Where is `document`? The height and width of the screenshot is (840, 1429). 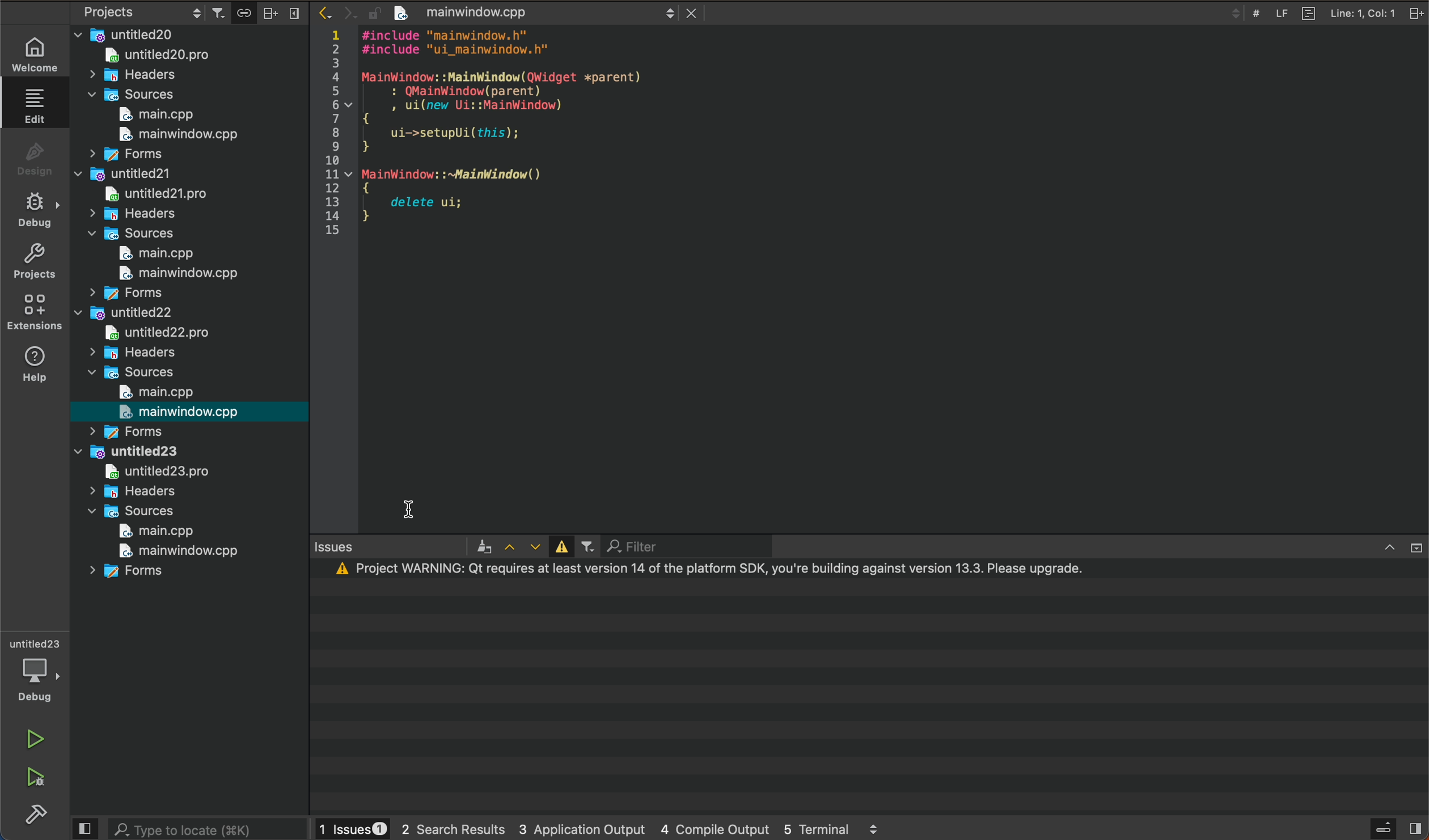
document is located at coordinates (1307, 13).